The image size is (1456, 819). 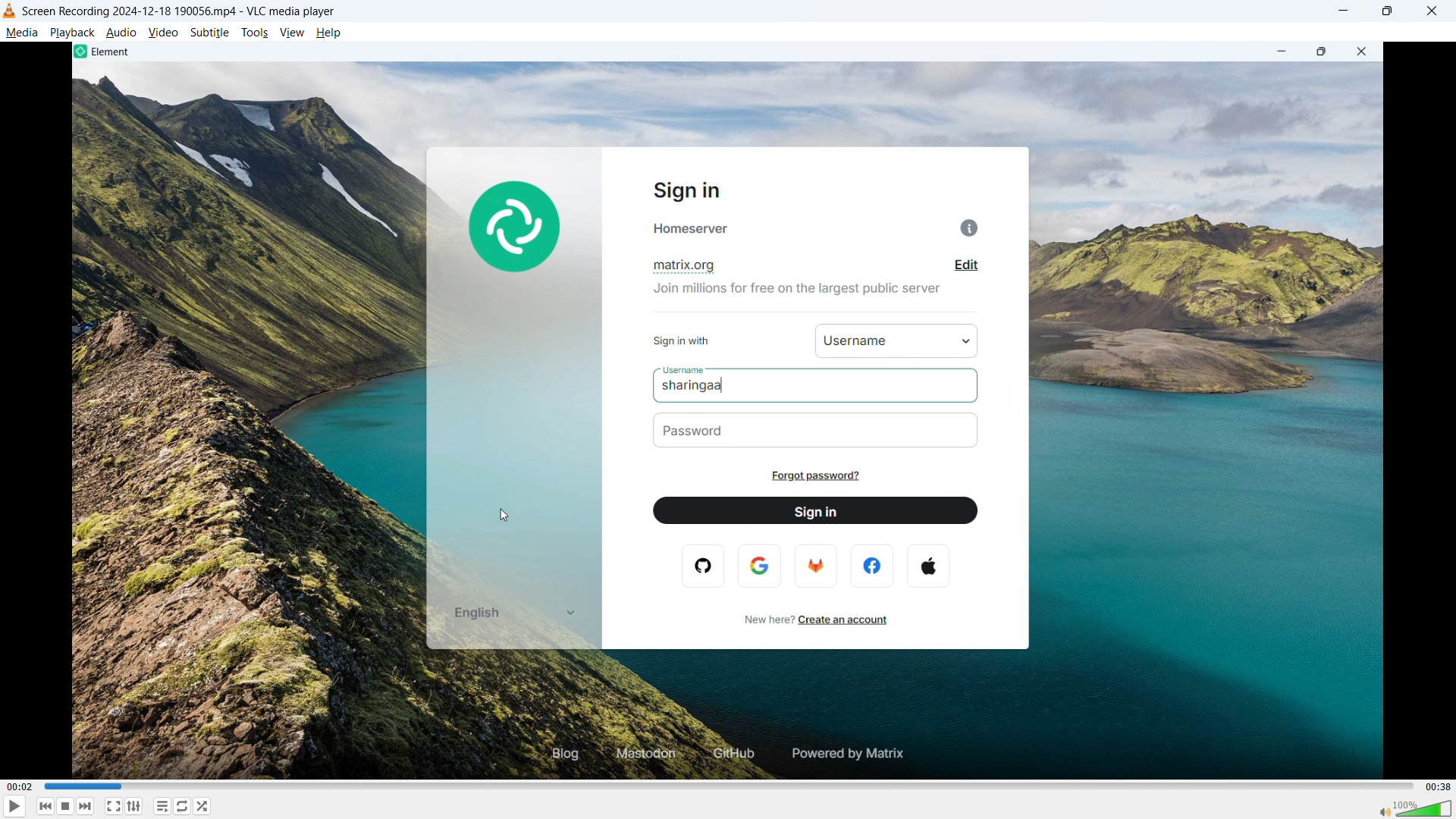 I want to click on Mastodon, so click(x=642, y=754).